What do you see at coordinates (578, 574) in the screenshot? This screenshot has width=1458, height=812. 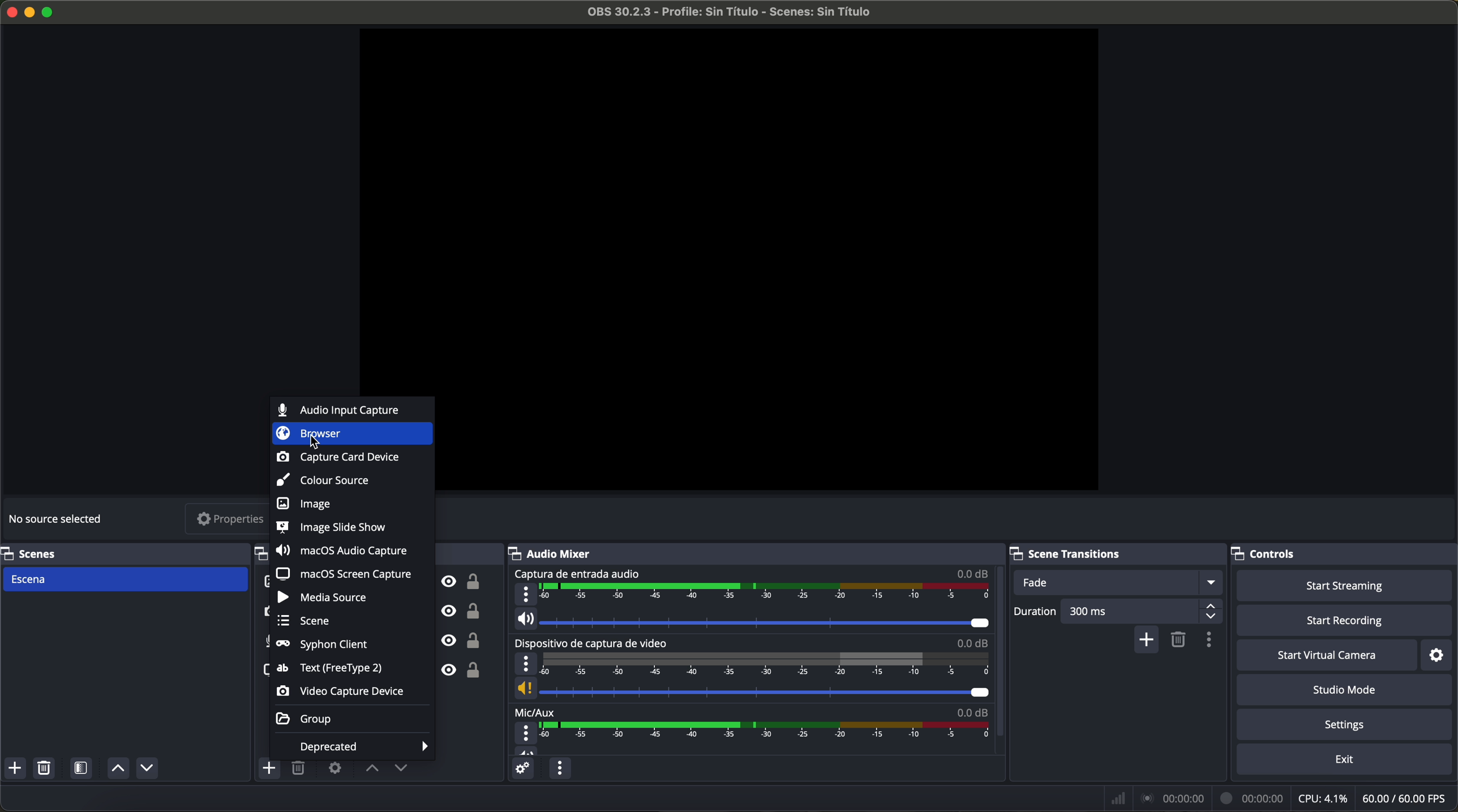 I see `audio input capture` at bounding box center [578, 574].